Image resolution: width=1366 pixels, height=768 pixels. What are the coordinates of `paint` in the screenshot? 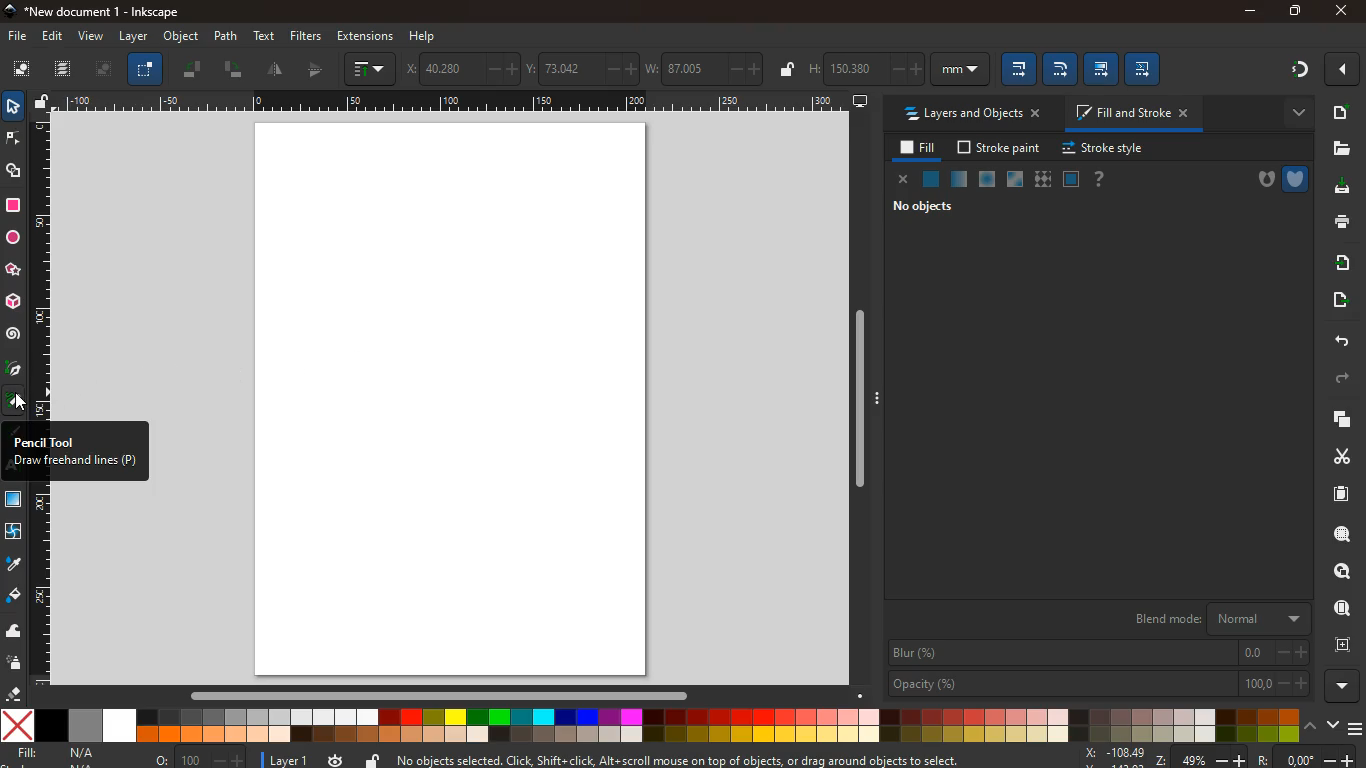 It's located at (15, 597).